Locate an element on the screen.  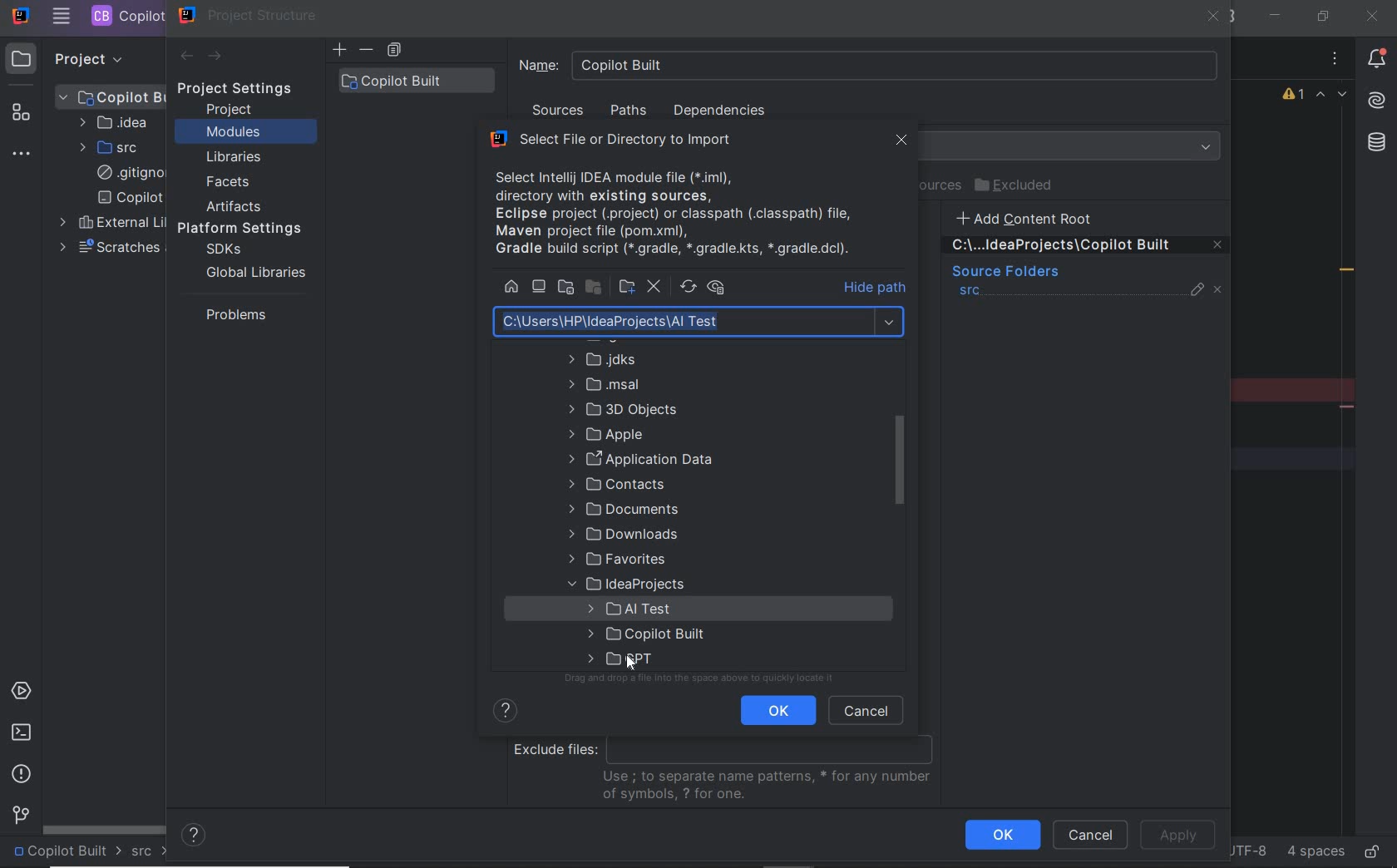
remove content entry is located at coordinates (1088, 248).